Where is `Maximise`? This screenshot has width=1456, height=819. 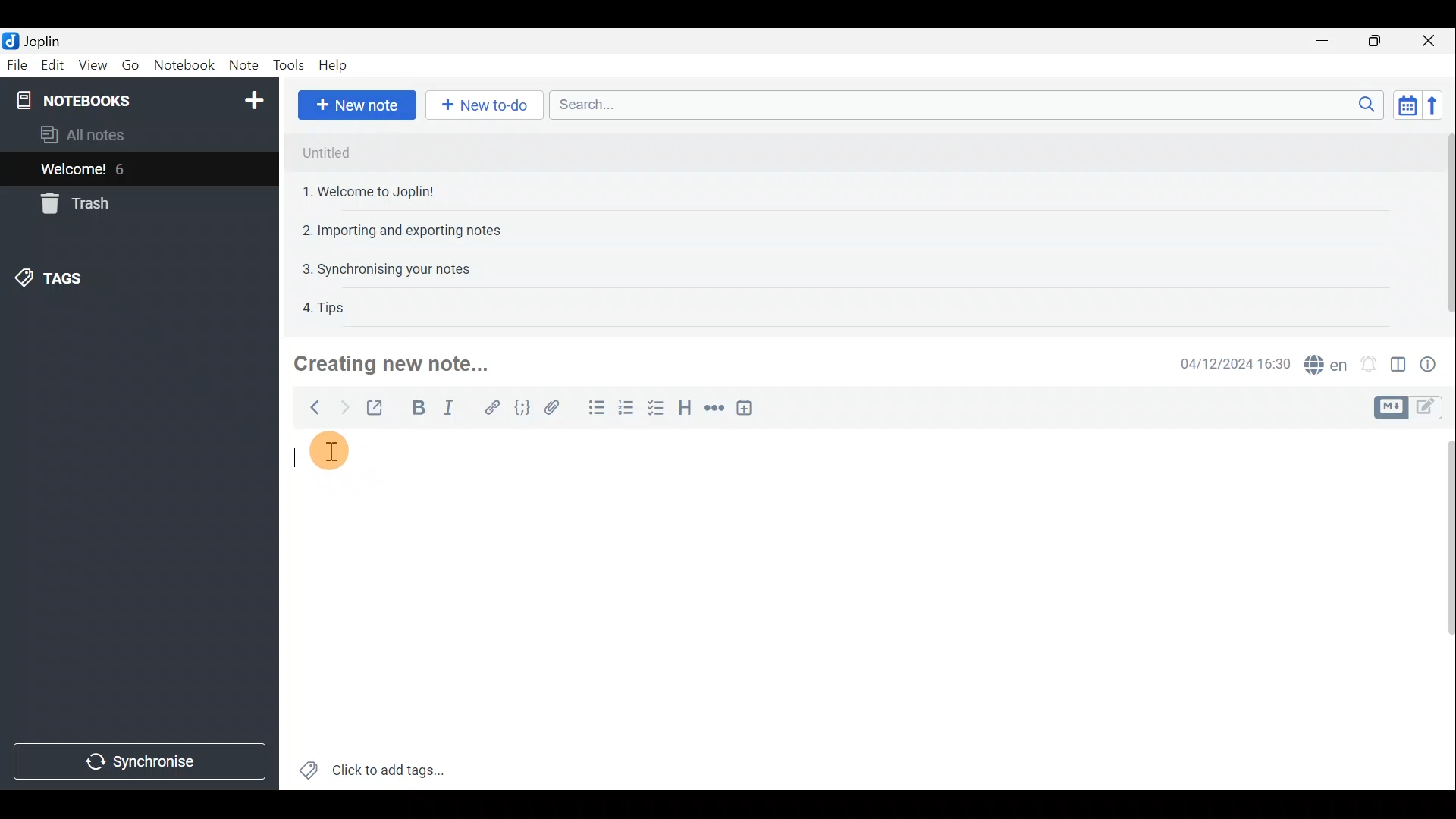 Maximise is located at coordinates (1376, 42).